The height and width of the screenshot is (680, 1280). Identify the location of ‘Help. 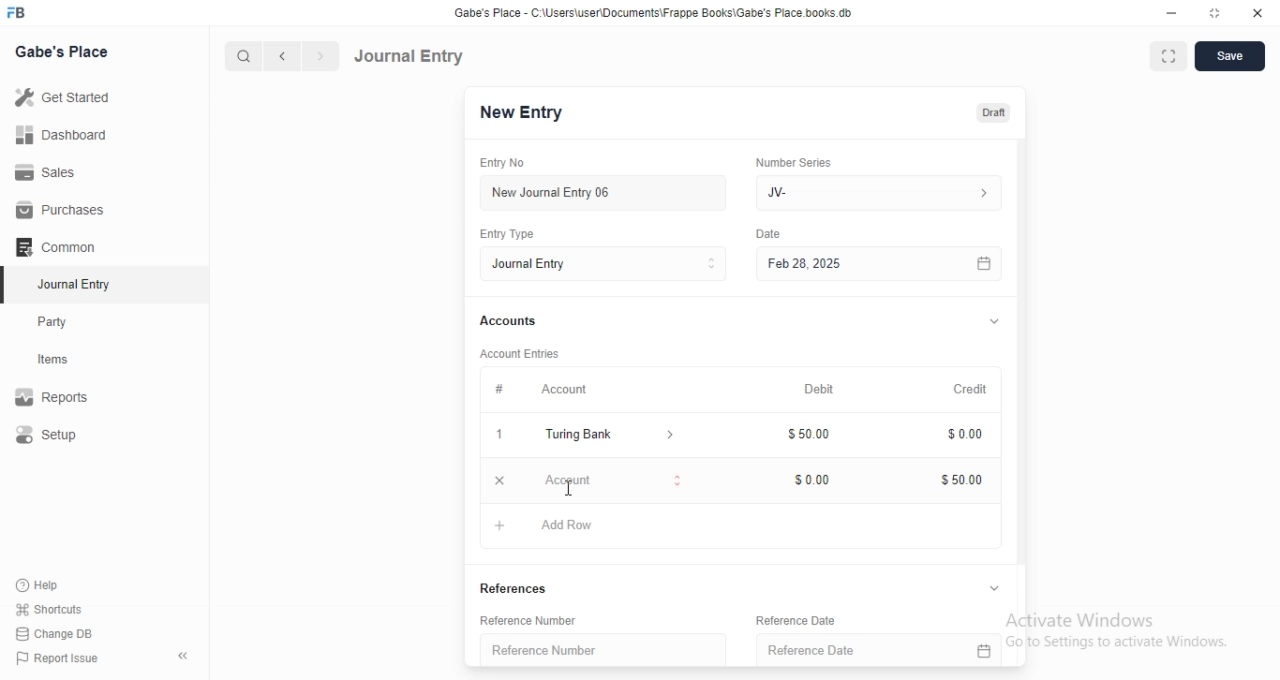
(61, 585).